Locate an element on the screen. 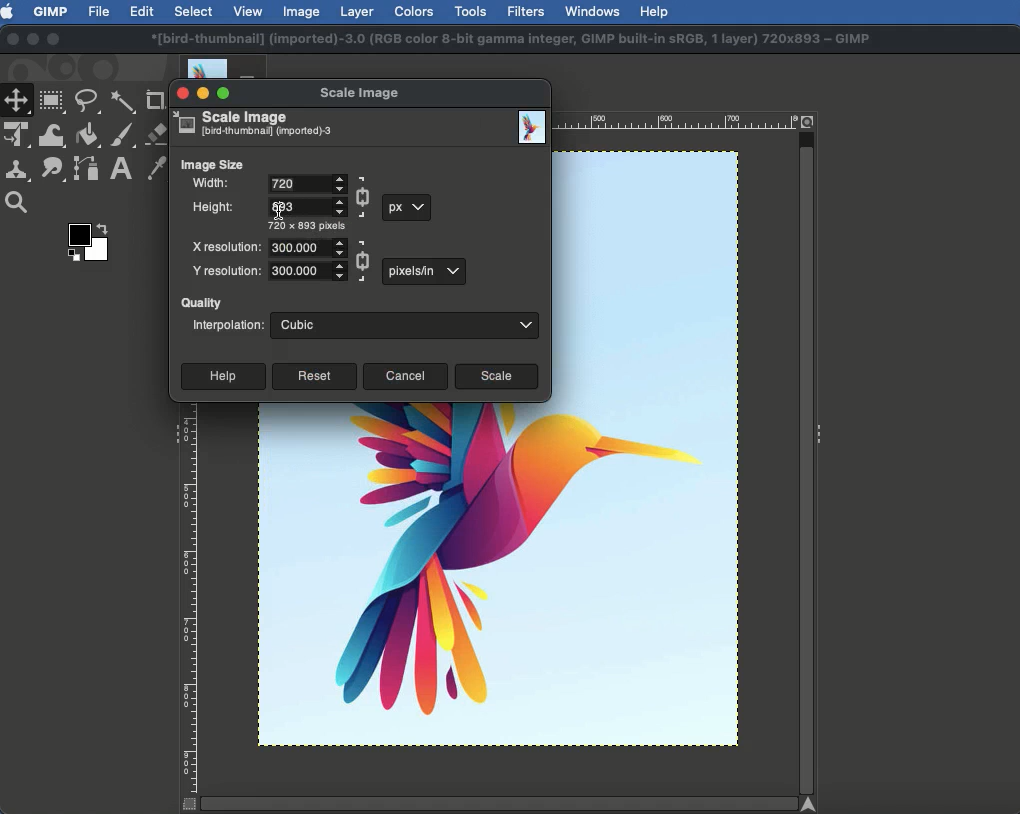 The image size is (1020, 814). Image size is located at coordinates (214, 163).